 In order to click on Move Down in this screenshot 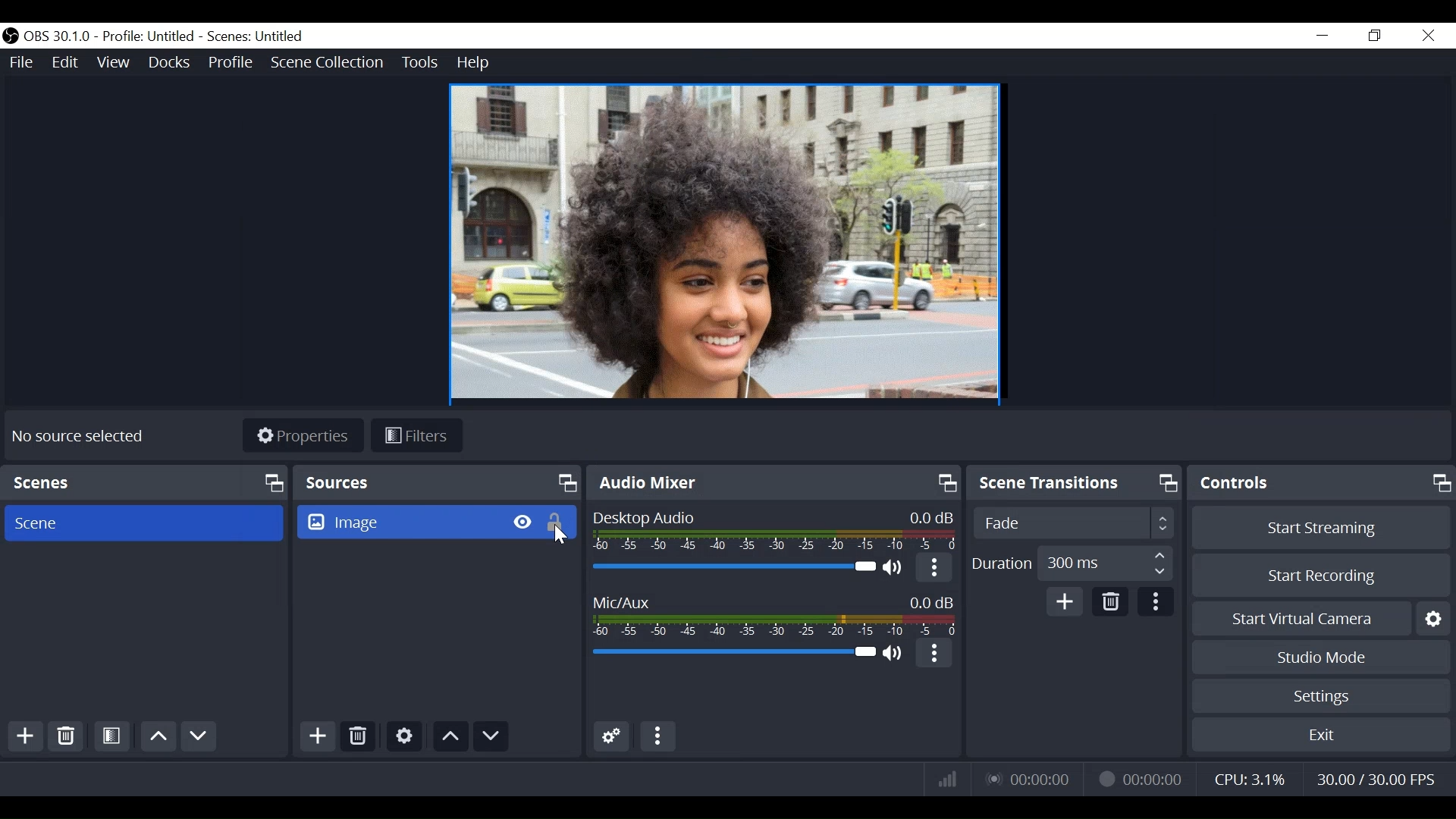, I will do `click(199, 736)`.